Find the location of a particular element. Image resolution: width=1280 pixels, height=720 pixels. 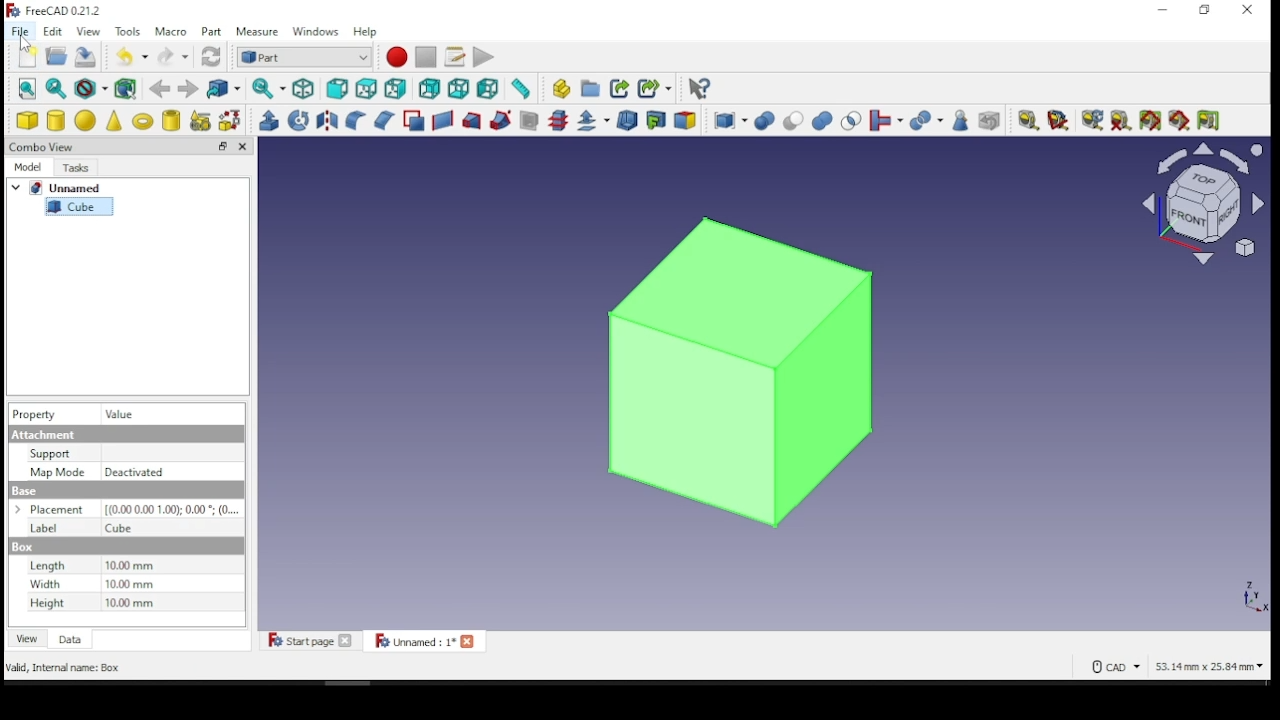

measure linear is located at coordinates (1029, 120).